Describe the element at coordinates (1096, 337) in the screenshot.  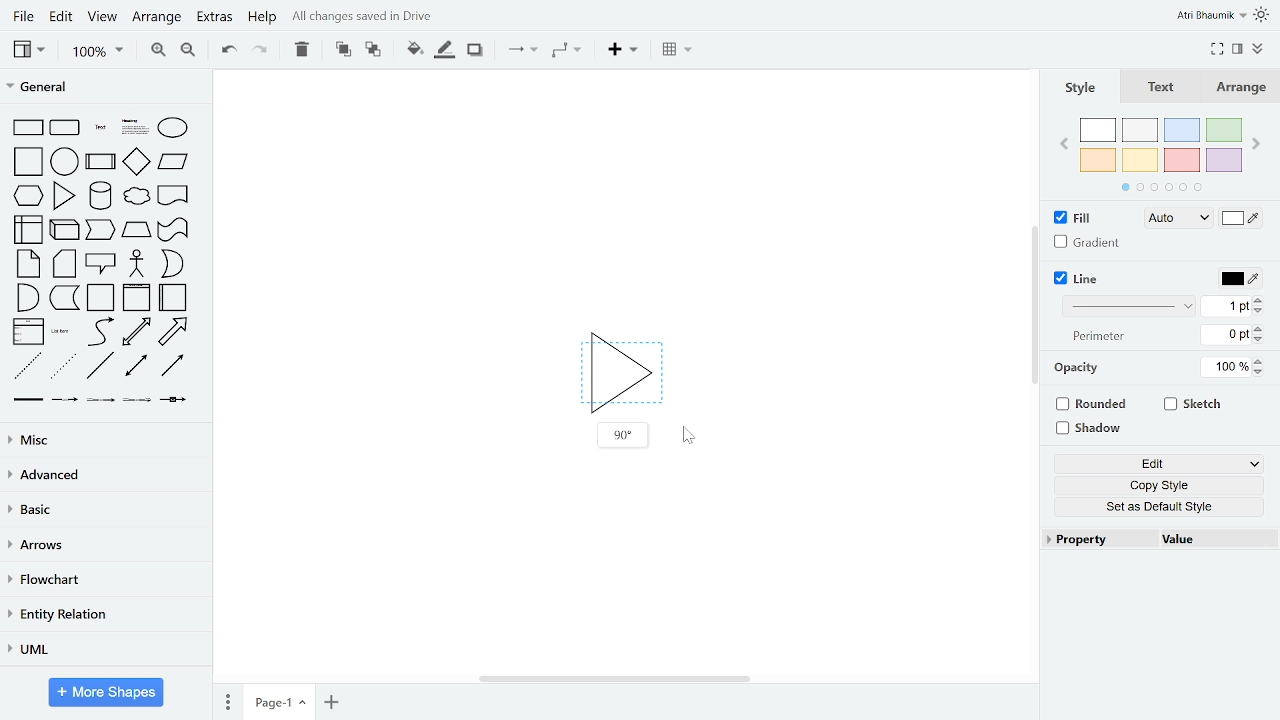
I see `perimeter` at that location.